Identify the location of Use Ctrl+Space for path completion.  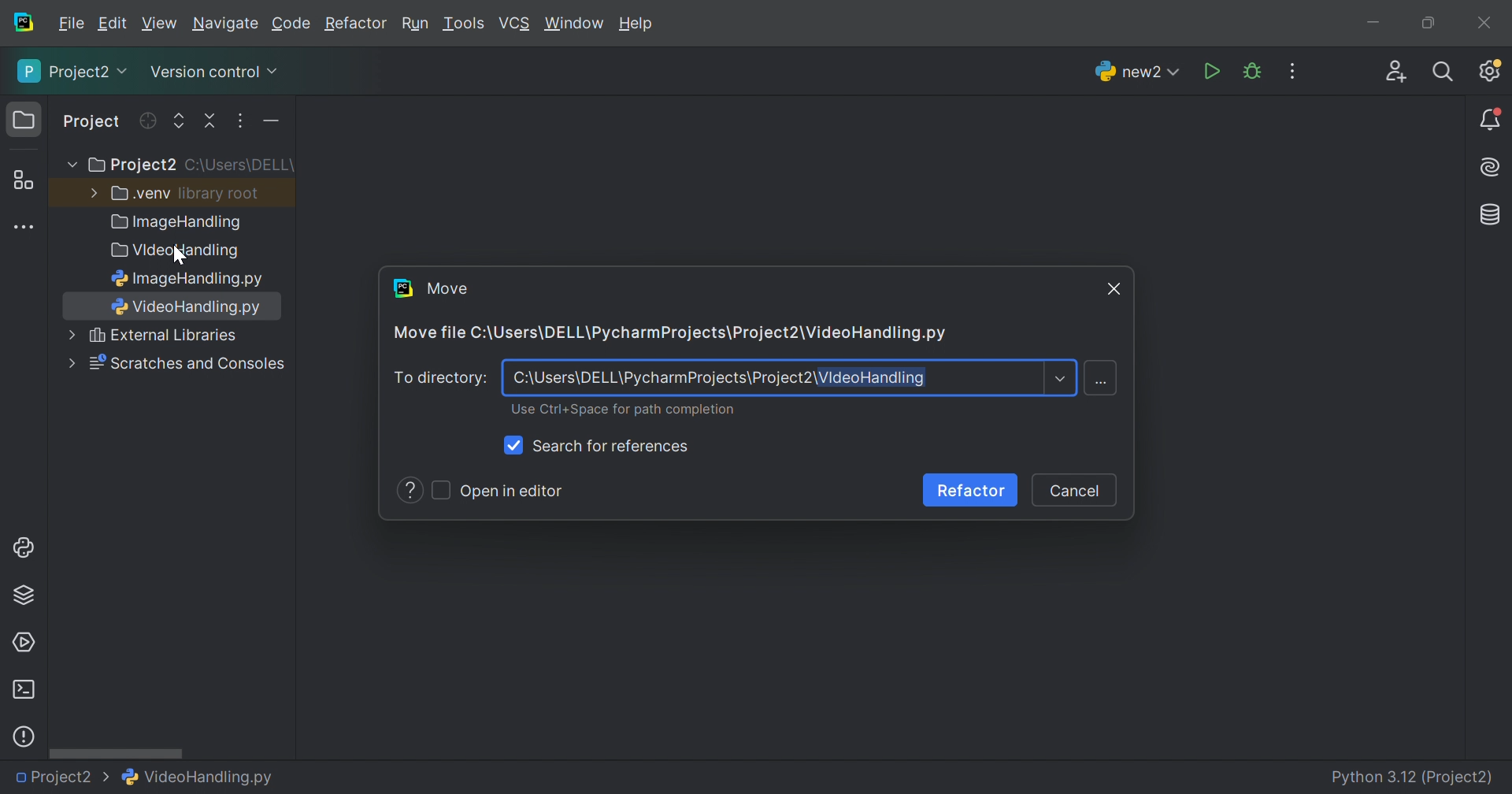
(623, 410).